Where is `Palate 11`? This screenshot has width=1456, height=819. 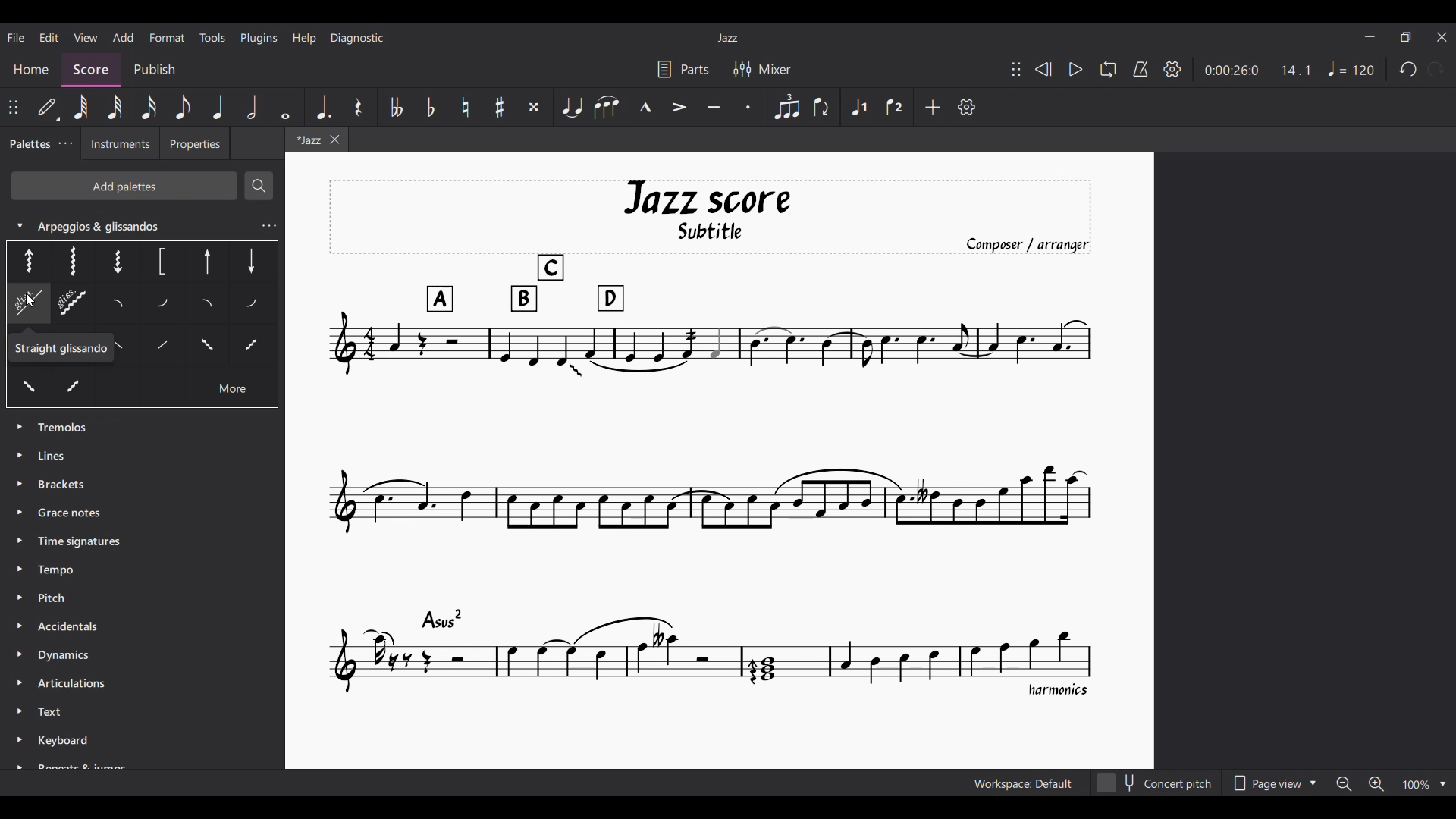 Palate 11 is located at coordinates (209, 306).